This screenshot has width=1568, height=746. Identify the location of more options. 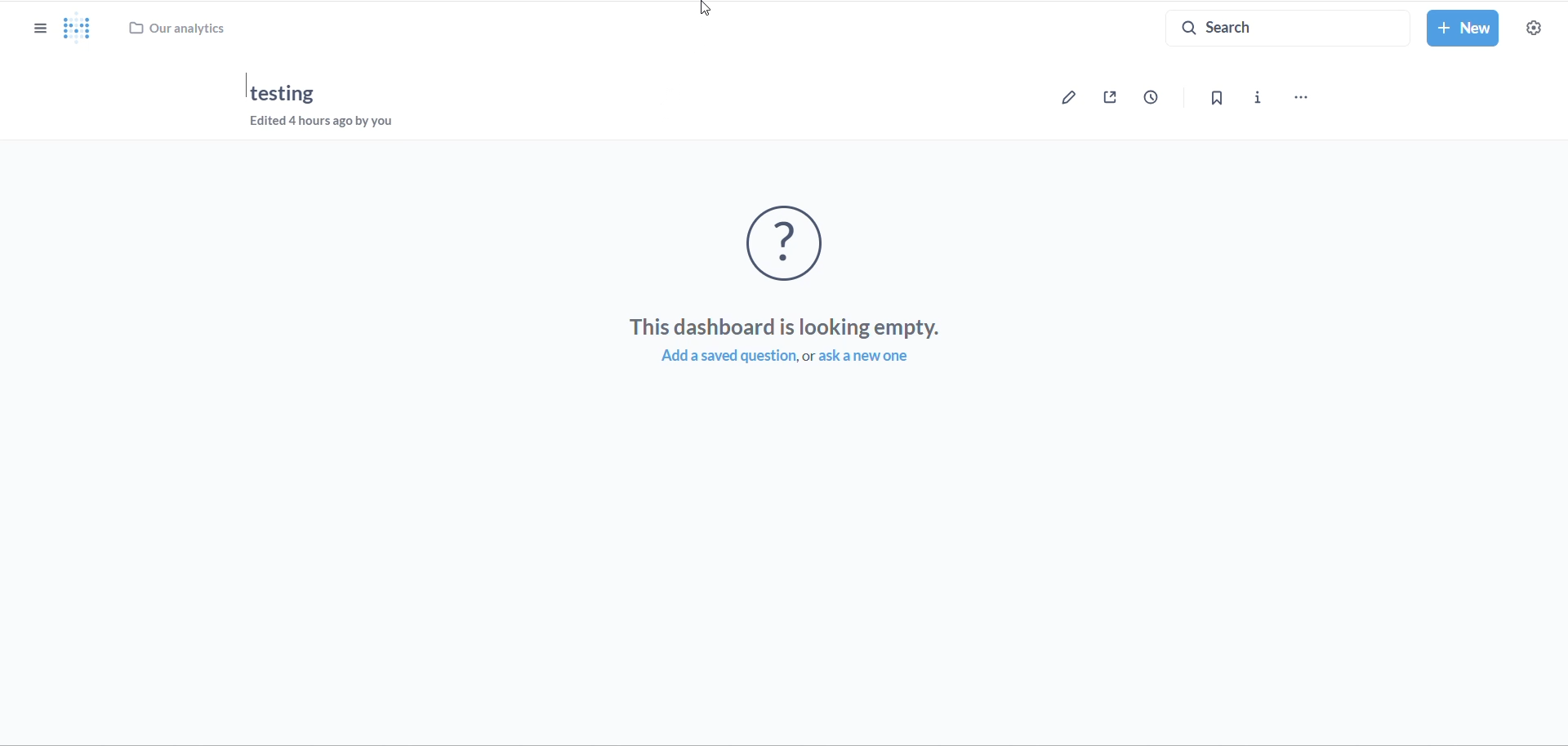
(1307, 93).